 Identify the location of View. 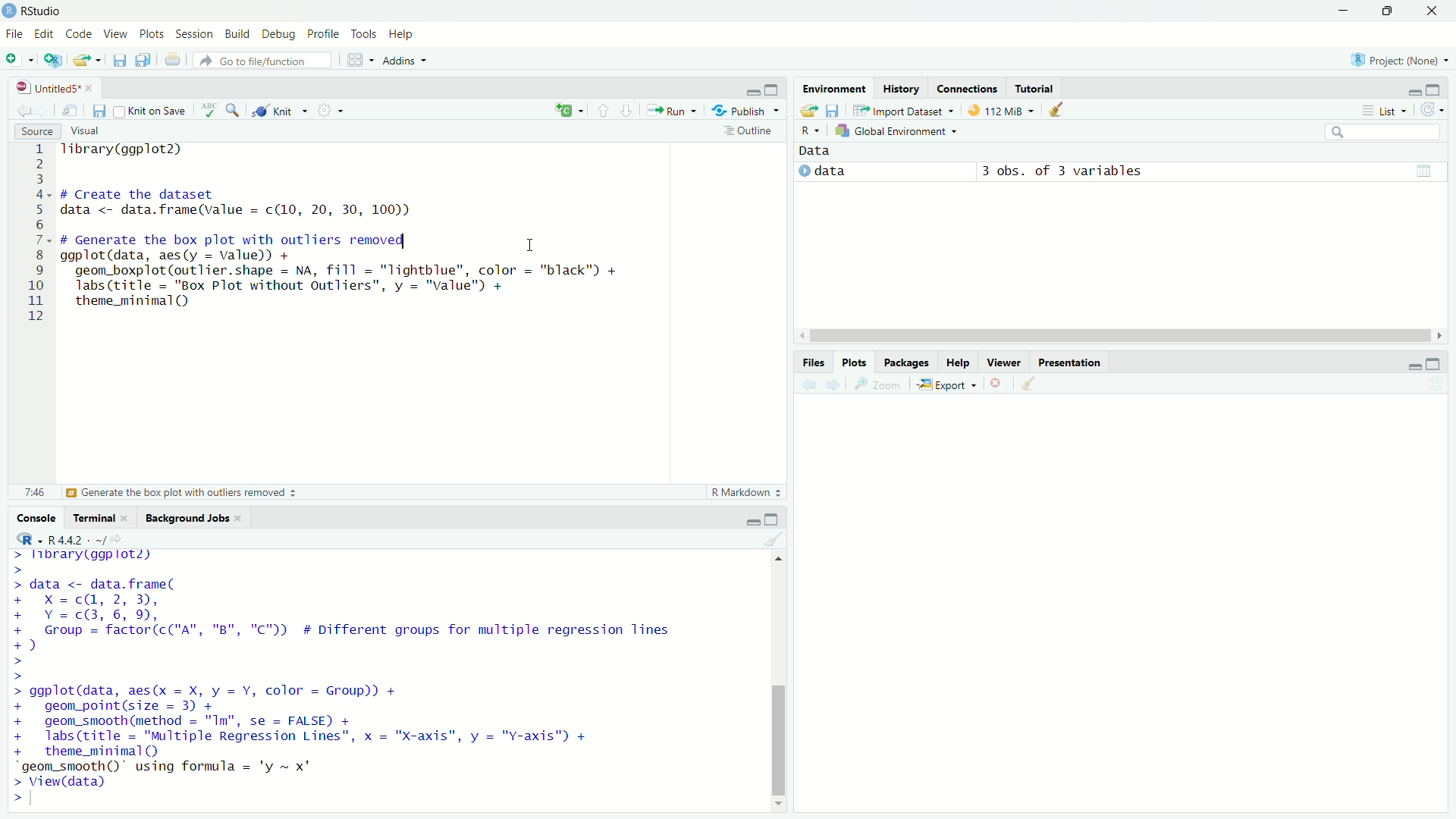
(114, 35).